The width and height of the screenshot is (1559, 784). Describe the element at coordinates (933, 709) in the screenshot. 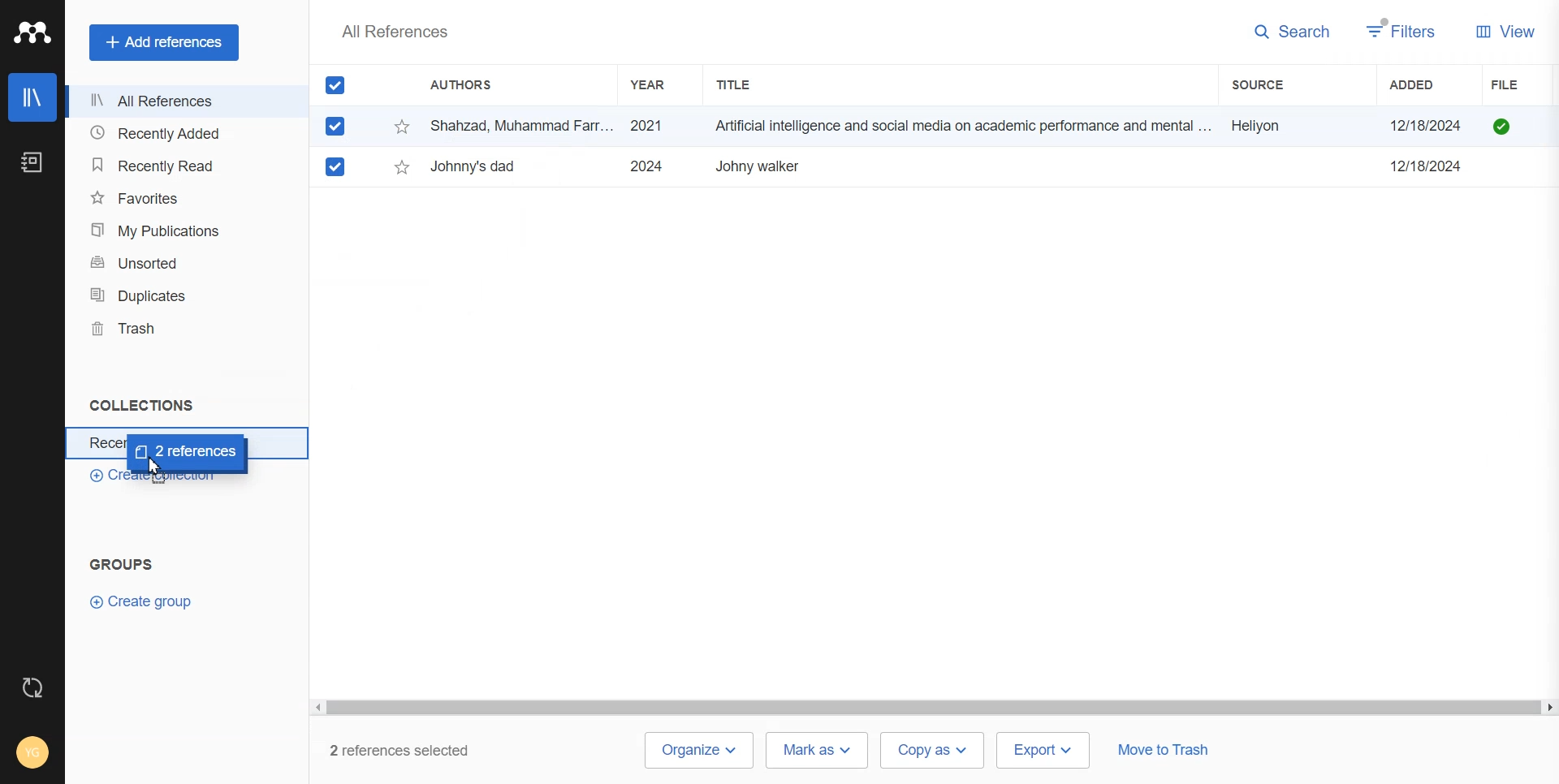

I see `scrollbar` at that location.